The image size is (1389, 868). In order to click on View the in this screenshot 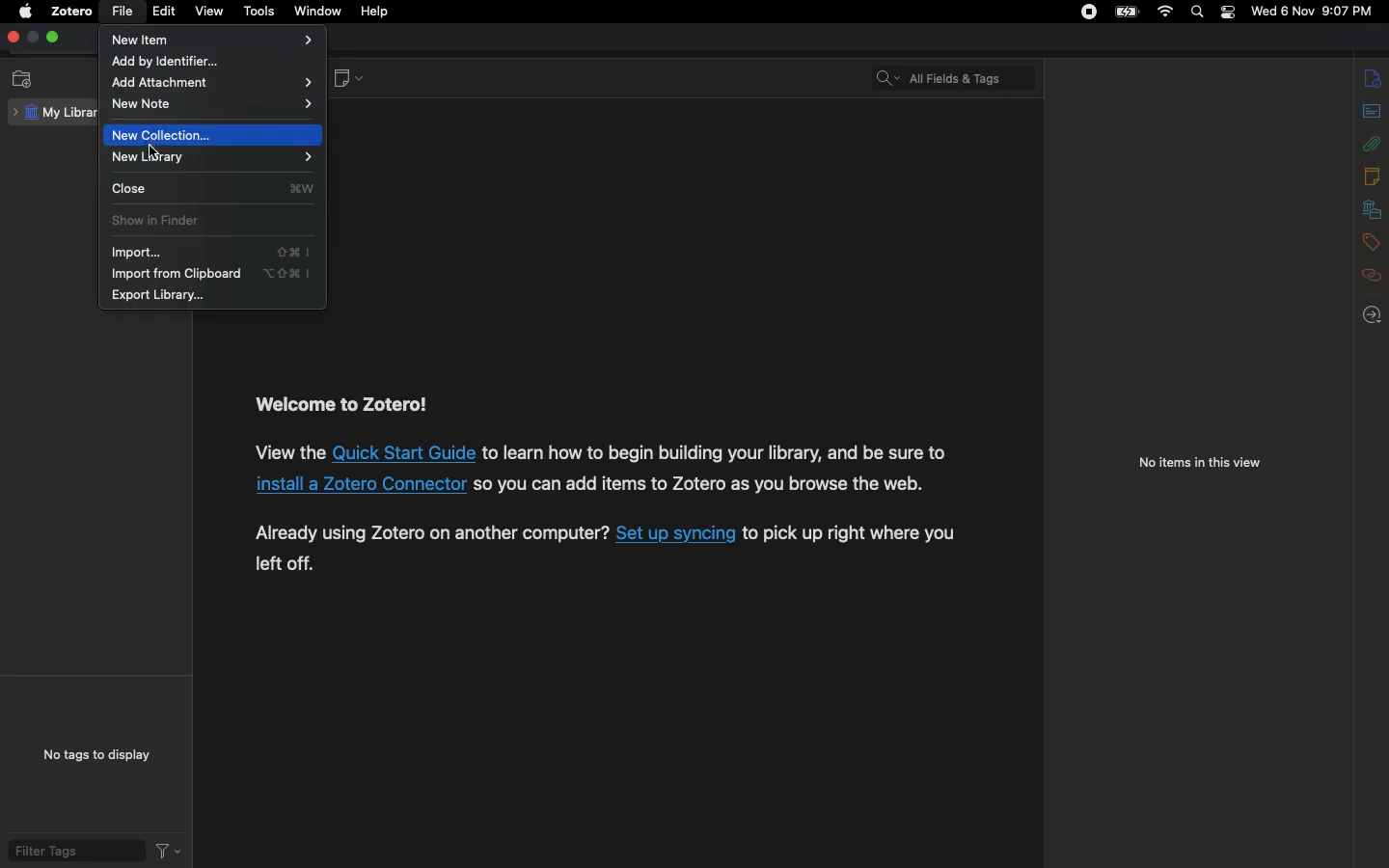, I will do `click(288, 451)`.